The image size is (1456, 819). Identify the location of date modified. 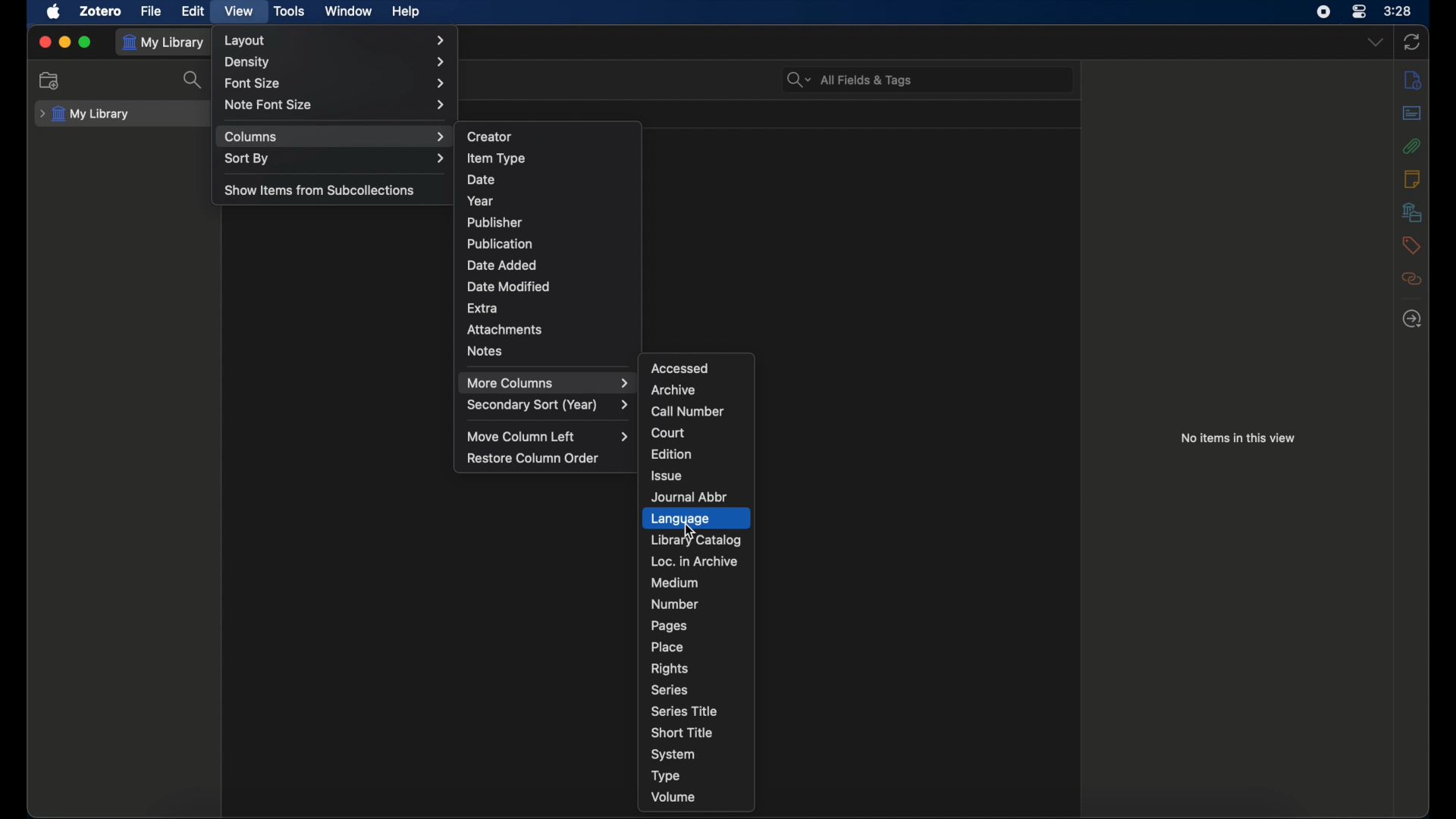
(509, 287).